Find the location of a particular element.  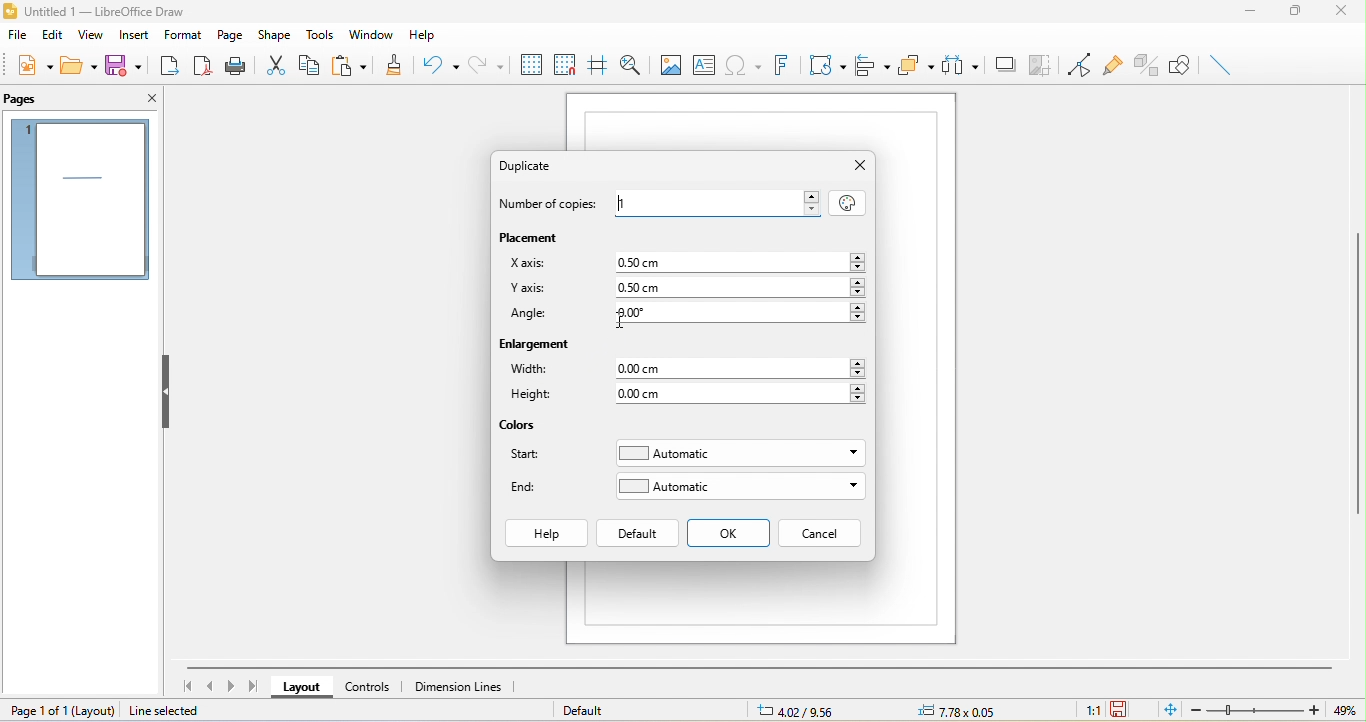

align objects is located at coordinates (874, 66).